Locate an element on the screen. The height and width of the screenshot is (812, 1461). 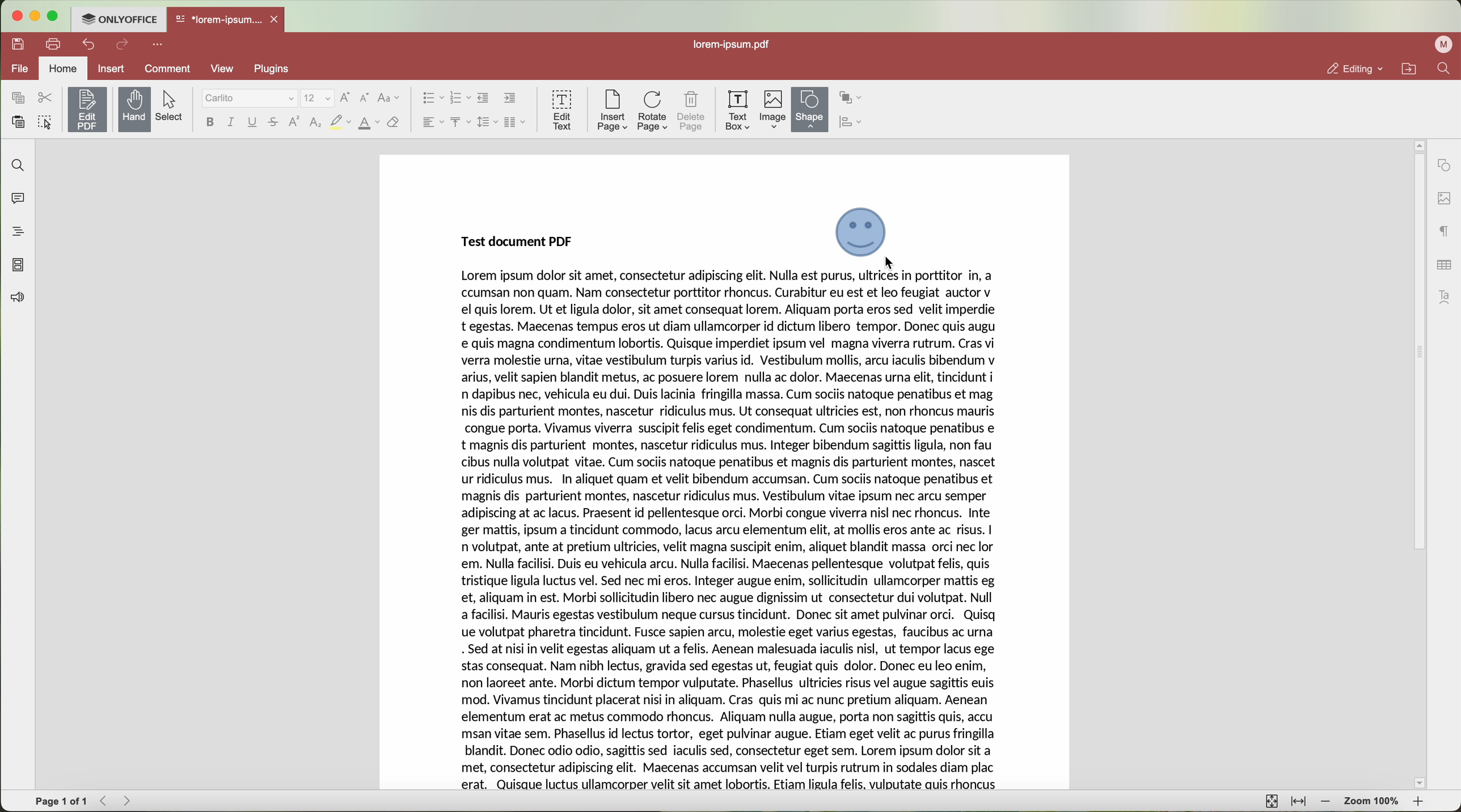
headings is located at coordinates (17, 232).